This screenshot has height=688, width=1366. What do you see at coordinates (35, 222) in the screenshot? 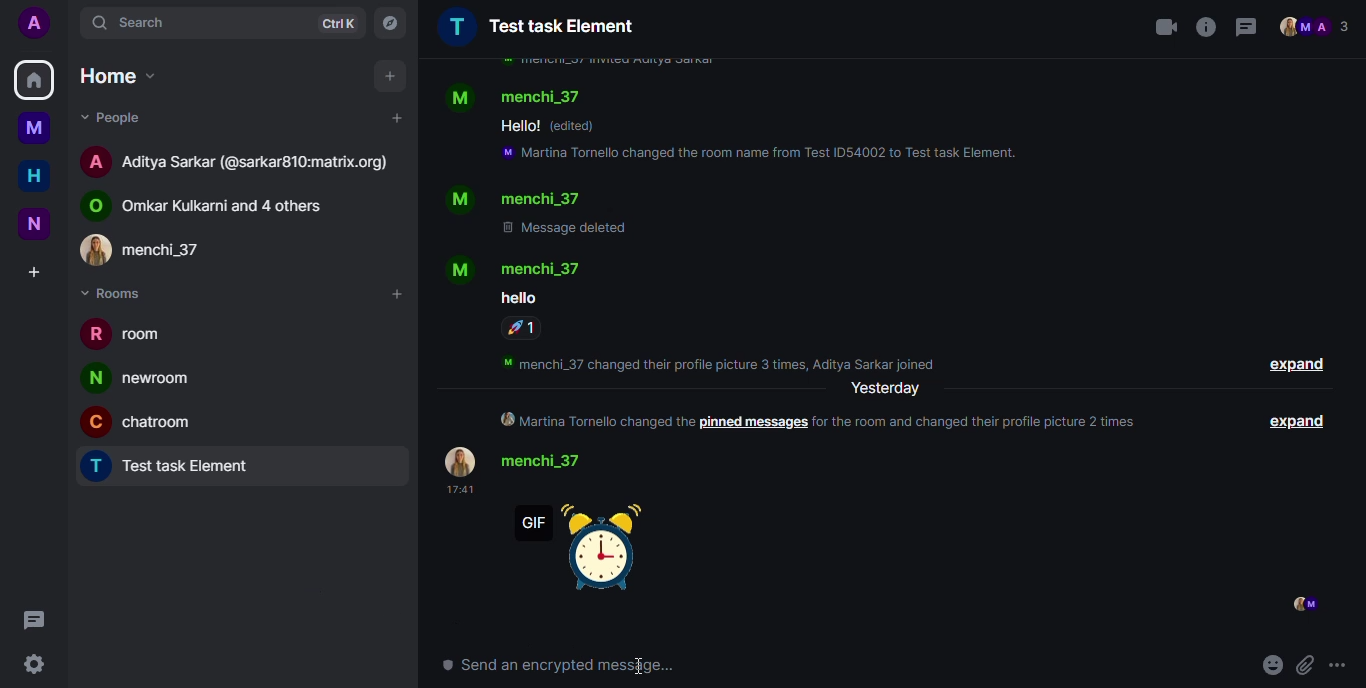
I see `new` at bounding box center [35, 222].